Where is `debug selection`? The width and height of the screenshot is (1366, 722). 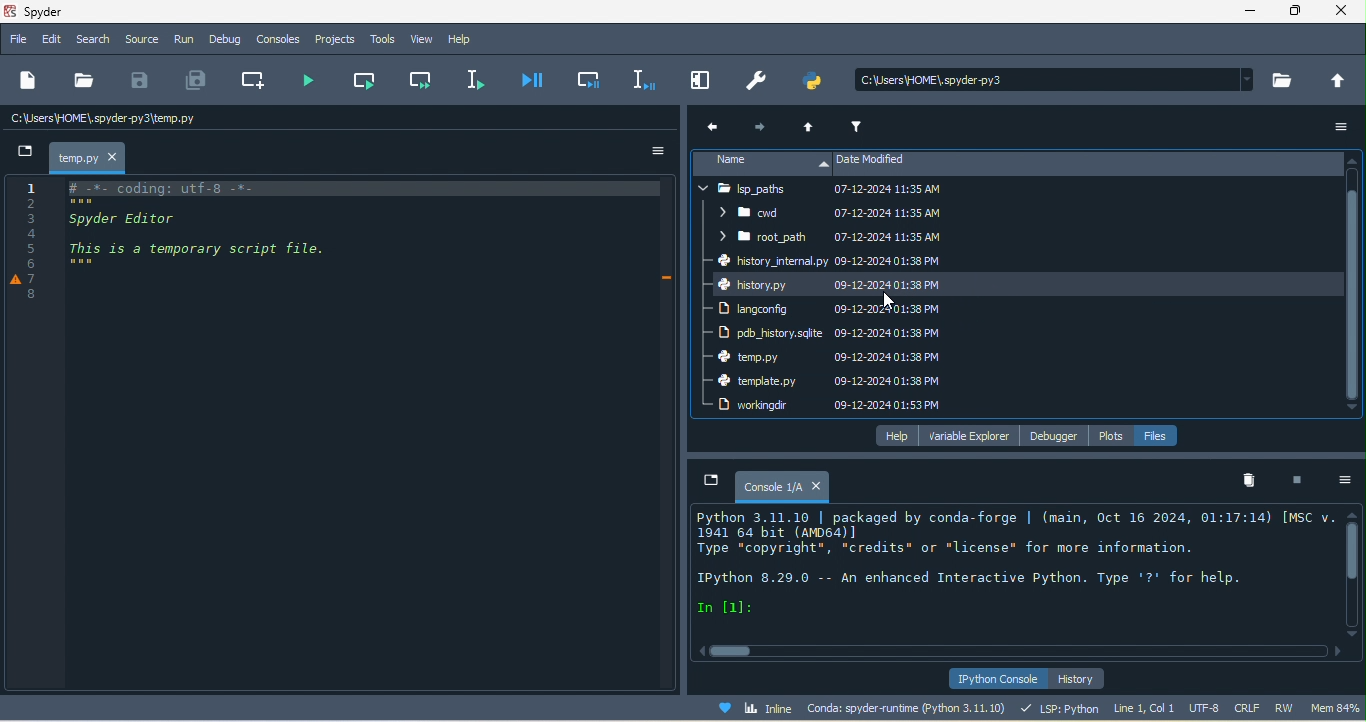
debug selection is located at coordinates (649, 77).